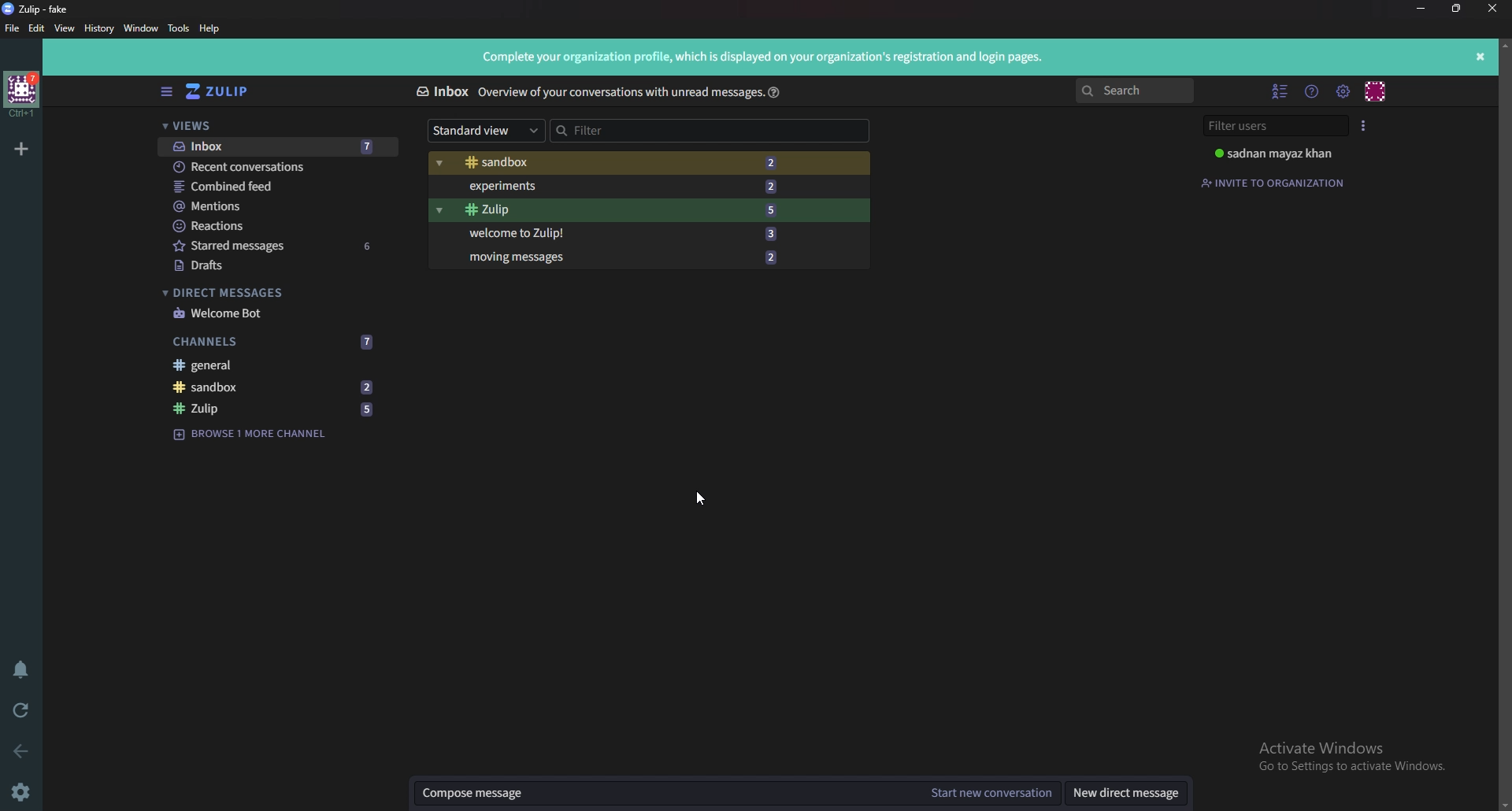  Describe the element at coordinates (1375, 91) in the screenshot. I see `Personal menu` at that location.